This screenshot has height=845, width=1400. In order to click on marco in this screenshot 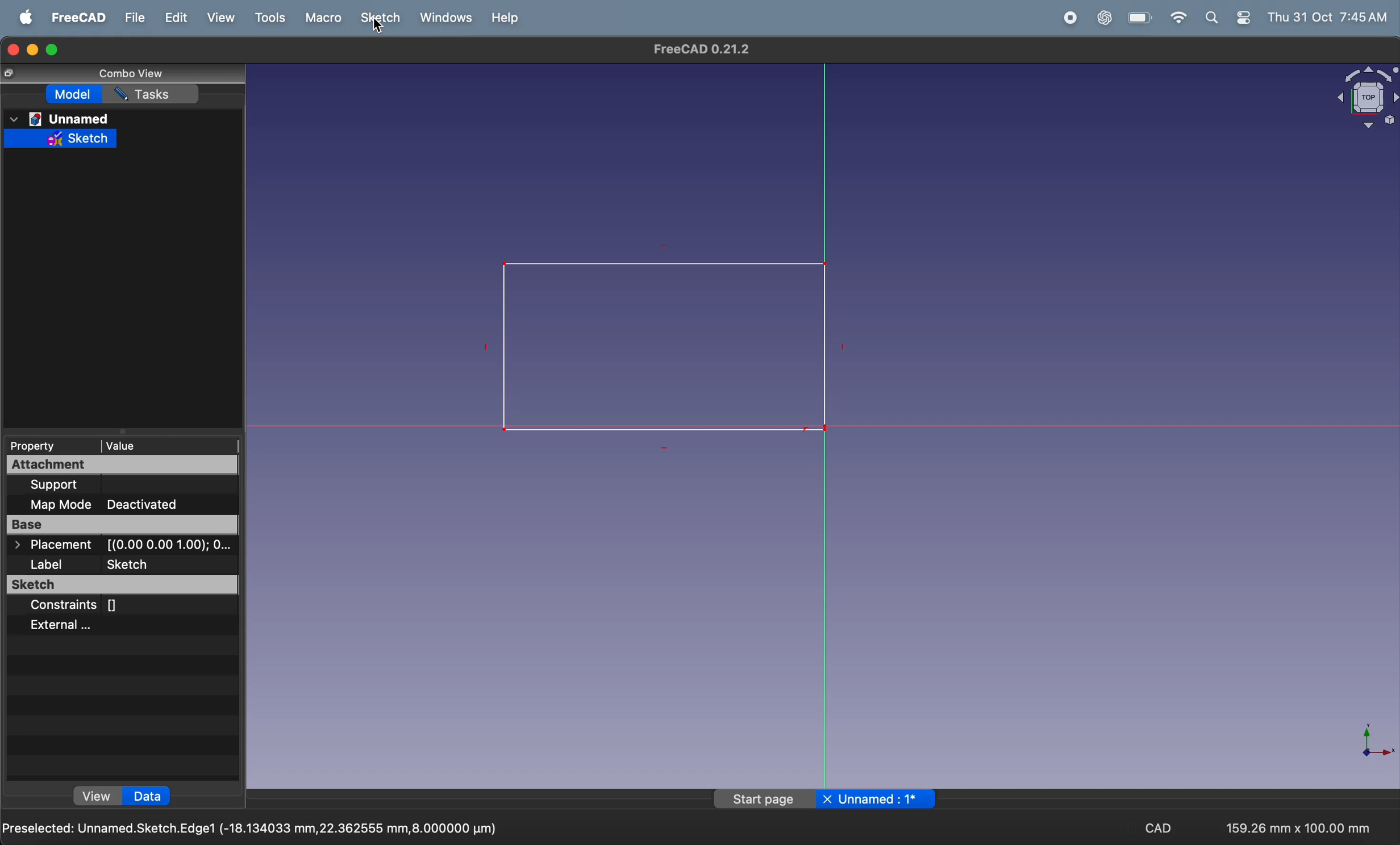, I will do `click(320, 19)`.